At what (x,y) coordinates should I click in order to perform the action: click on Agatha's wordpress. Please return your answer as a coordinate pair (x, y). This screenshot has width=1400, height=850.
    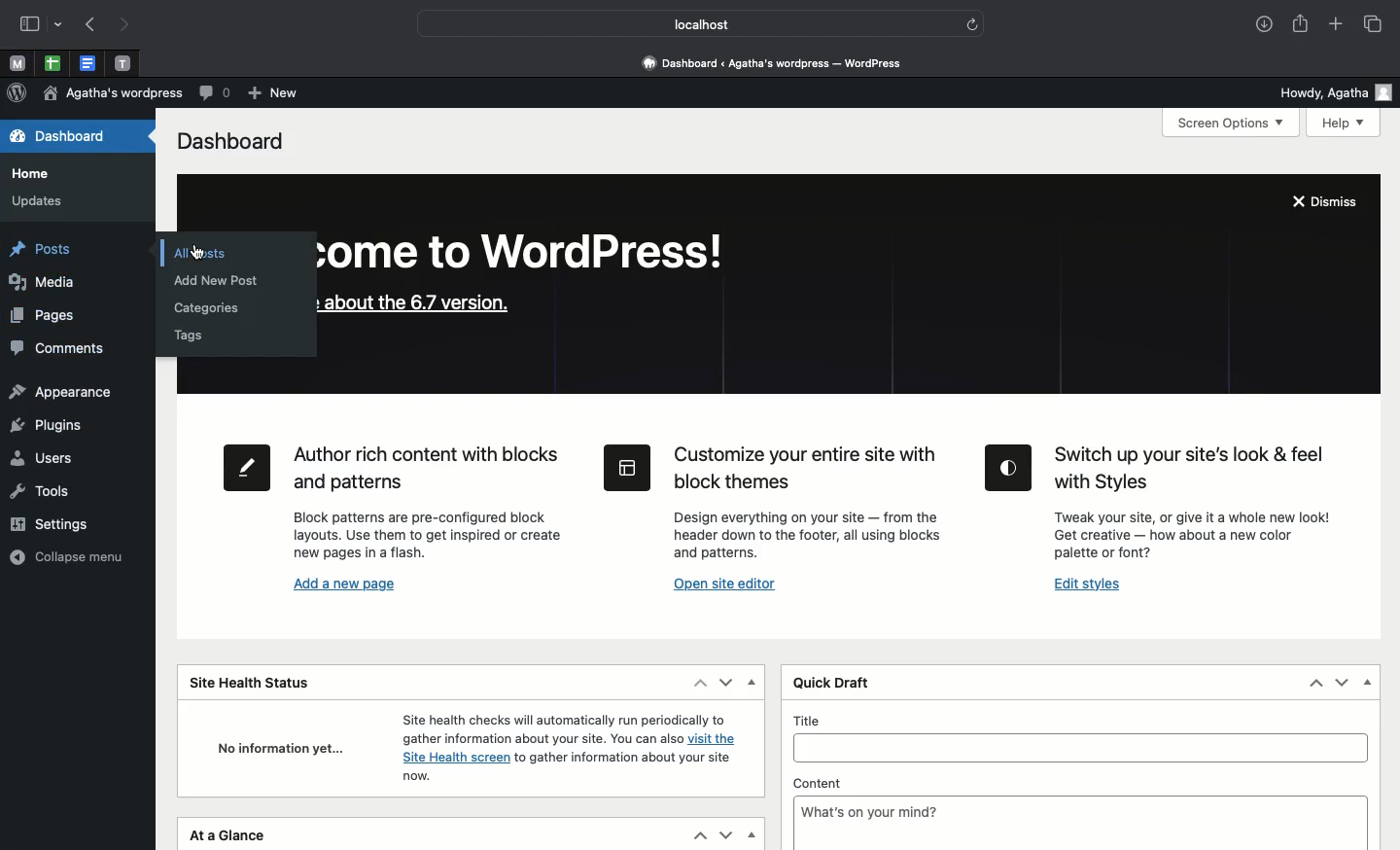
    Looking at the image, I should click on (109, 94).